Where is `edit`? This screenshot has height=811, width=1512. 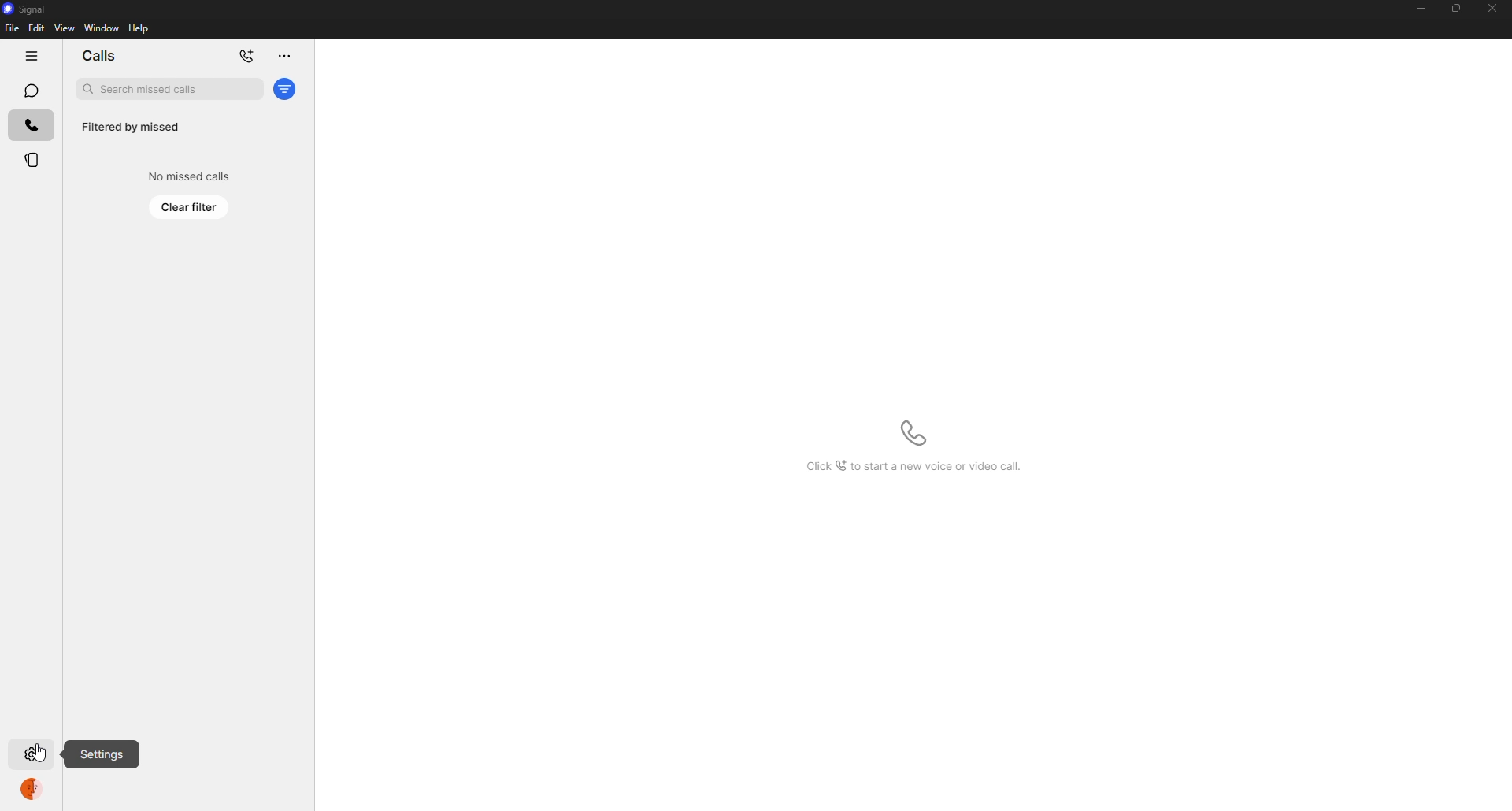 edit is located at coordinates (36, 28).